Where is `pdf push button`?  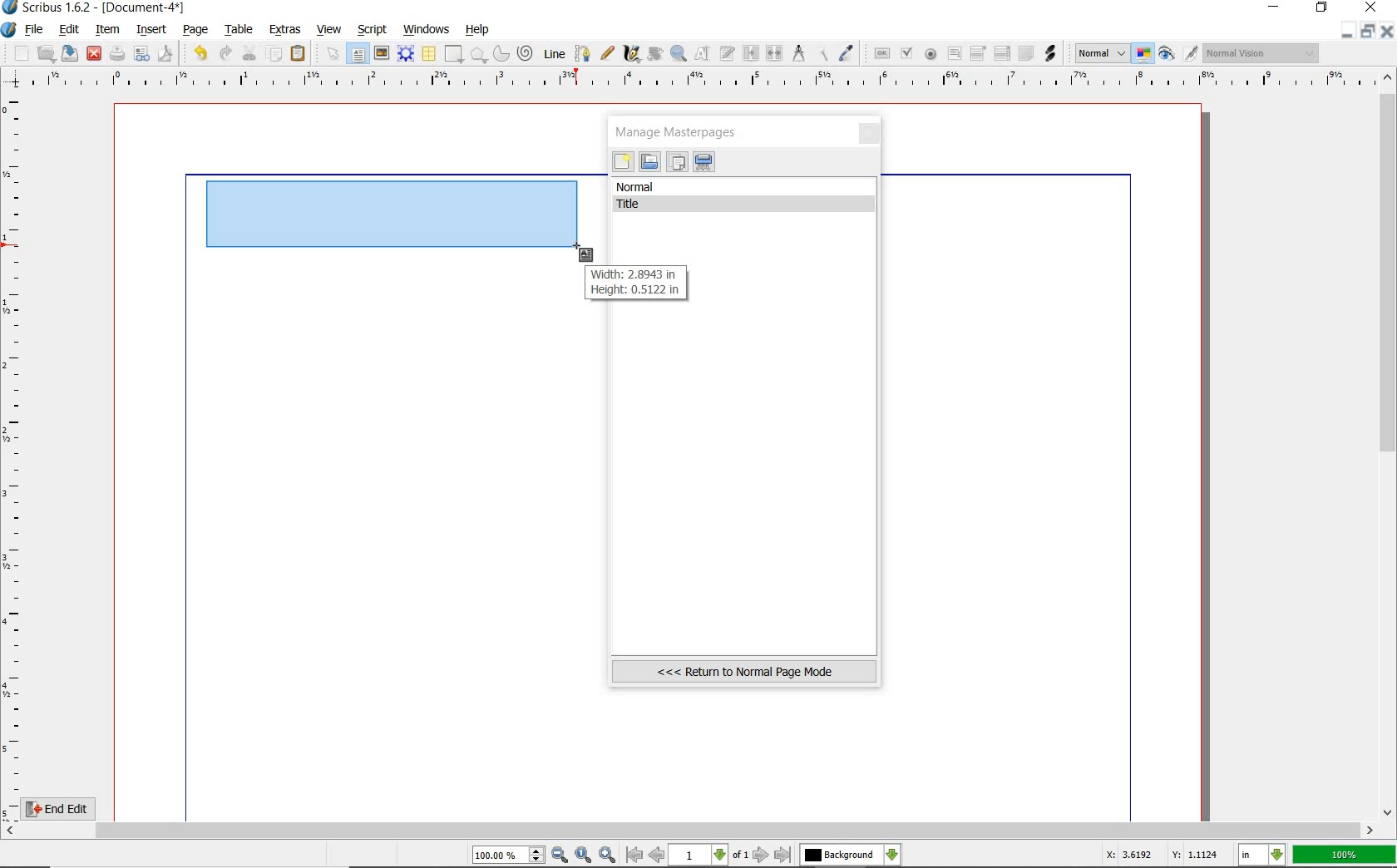 pdf push button is located at coordinates (879, 52).